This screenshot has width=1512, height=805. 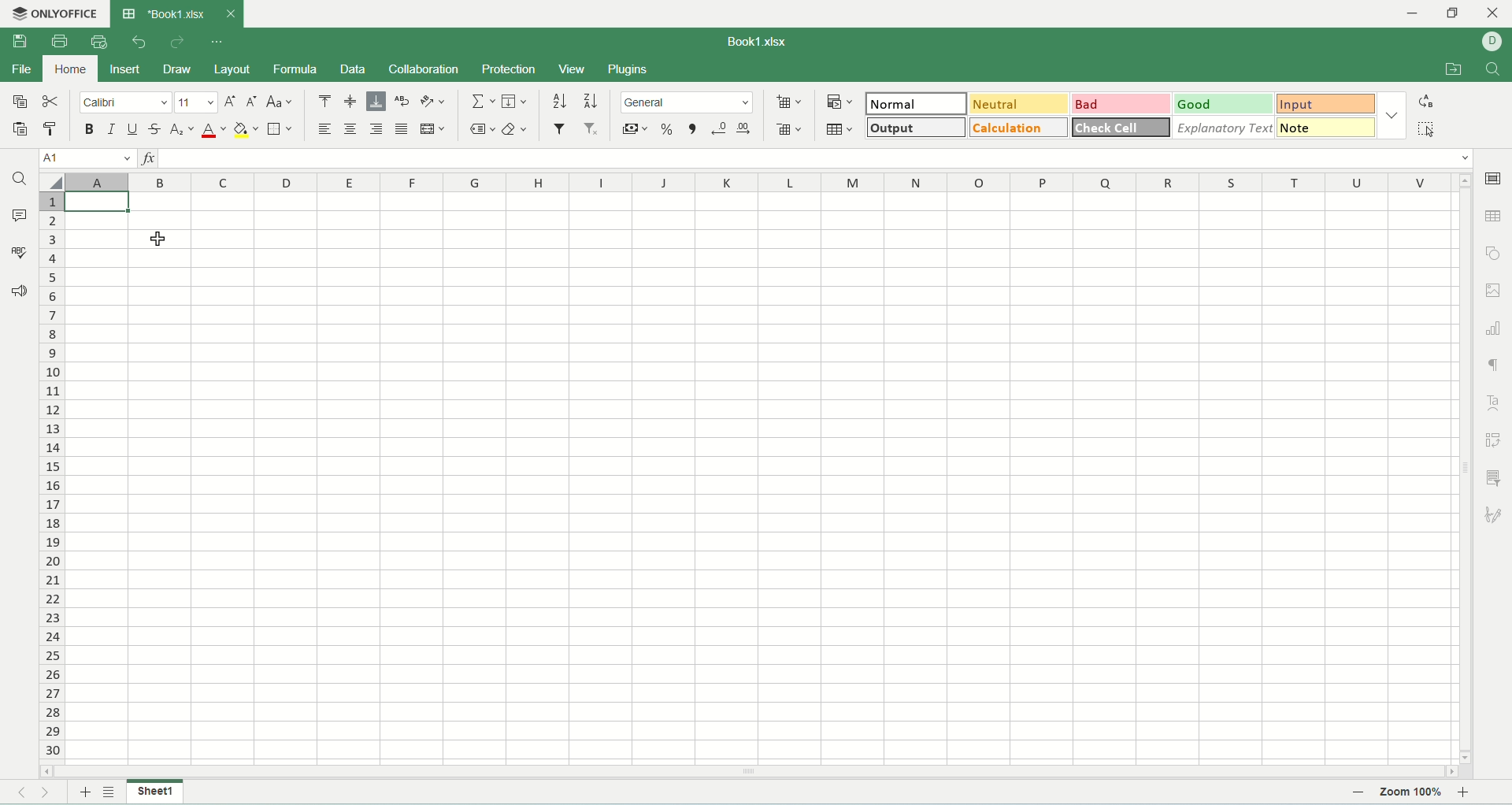 What do you see at coordinates (54, 131) in the screenshot?
I see `copy style` at bounding box center [54, 131].